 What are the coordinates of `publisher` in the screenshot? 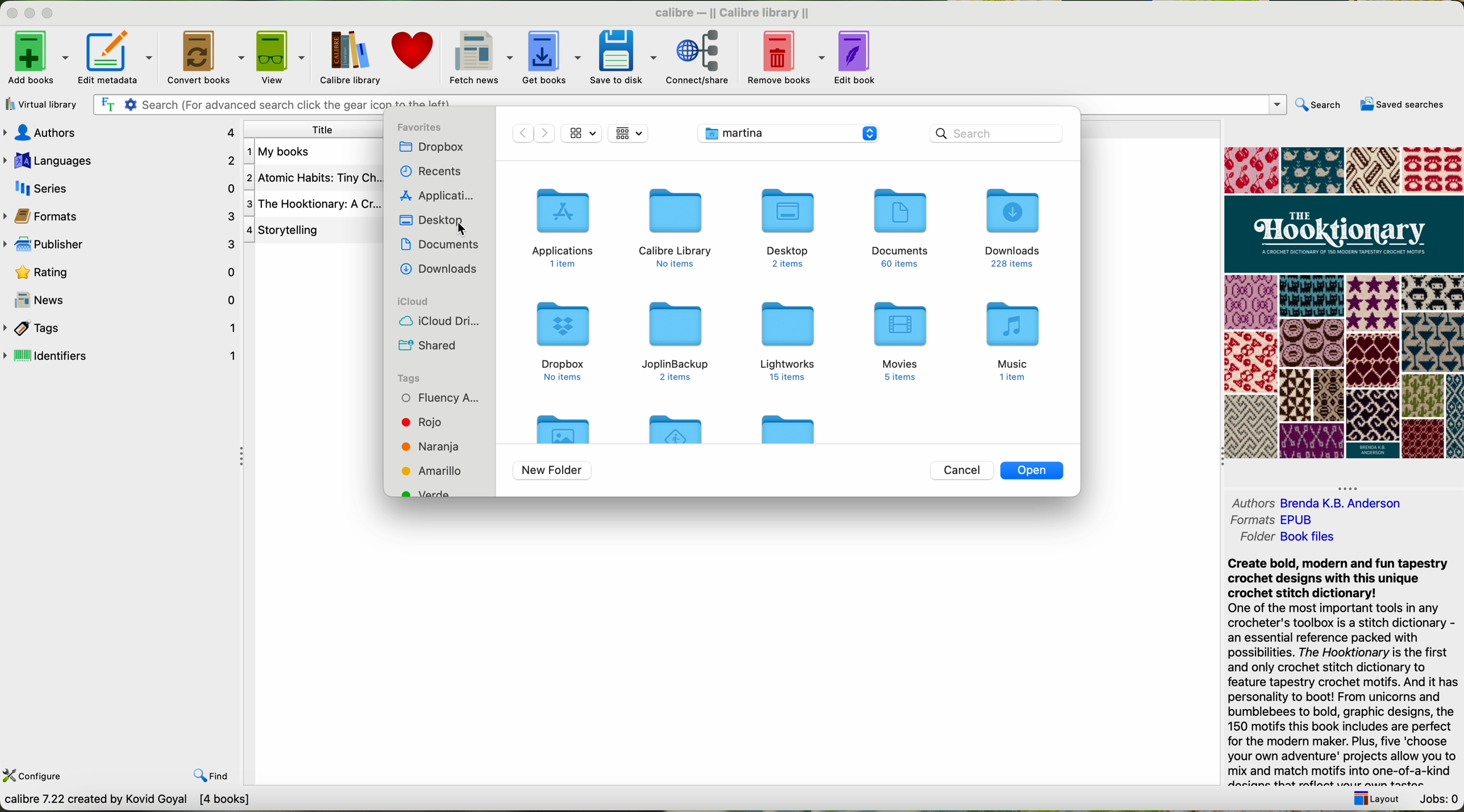 It's located at (120, 245).